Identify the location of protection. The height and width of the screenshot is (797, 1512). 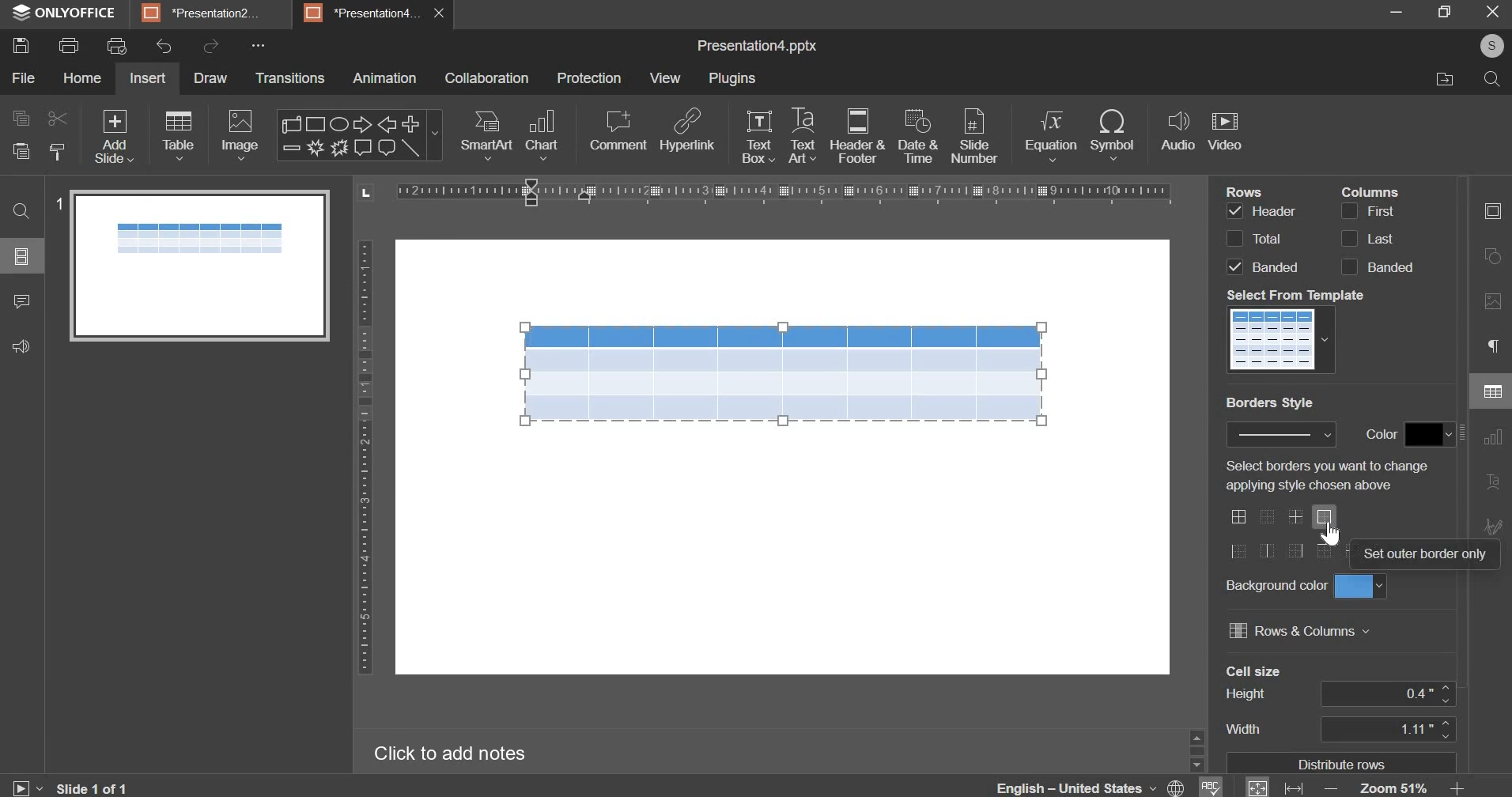
(590, 78).